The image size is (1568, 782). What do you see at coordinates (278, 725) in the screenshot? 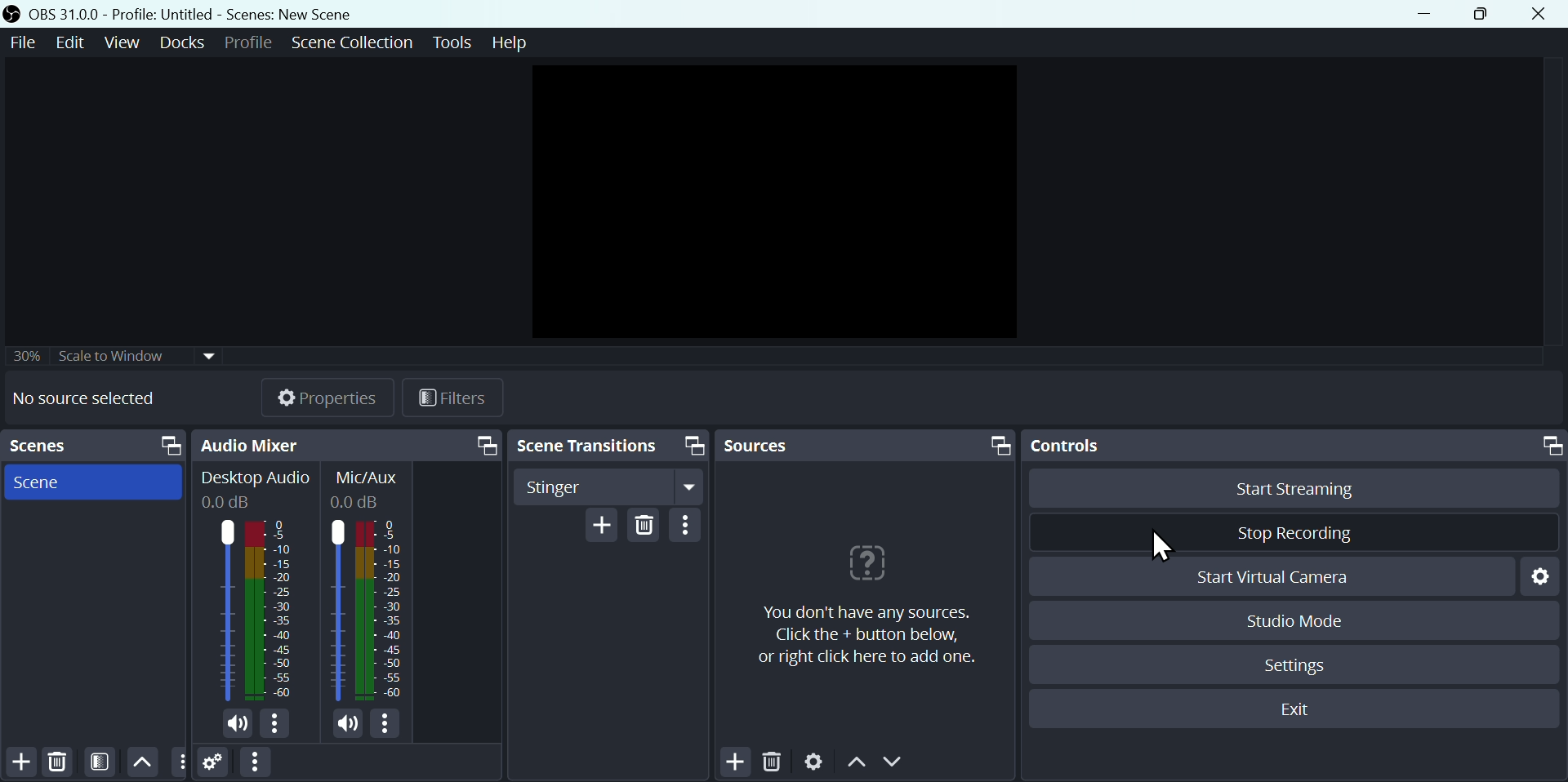
I see `options` at bounding box center [278, 725].